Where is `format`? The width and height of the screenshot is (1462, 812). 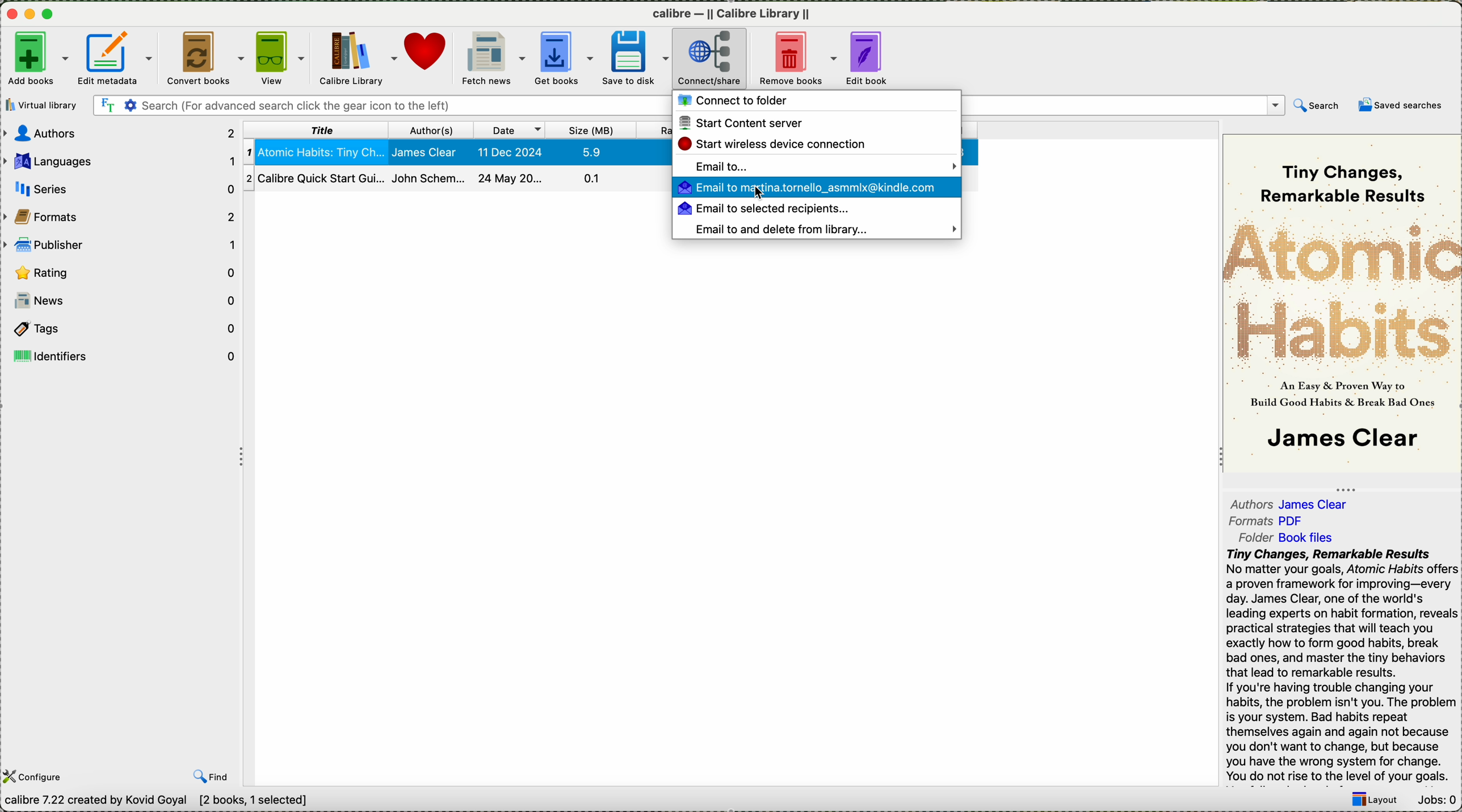
format is located at coordinates (1269, 522).